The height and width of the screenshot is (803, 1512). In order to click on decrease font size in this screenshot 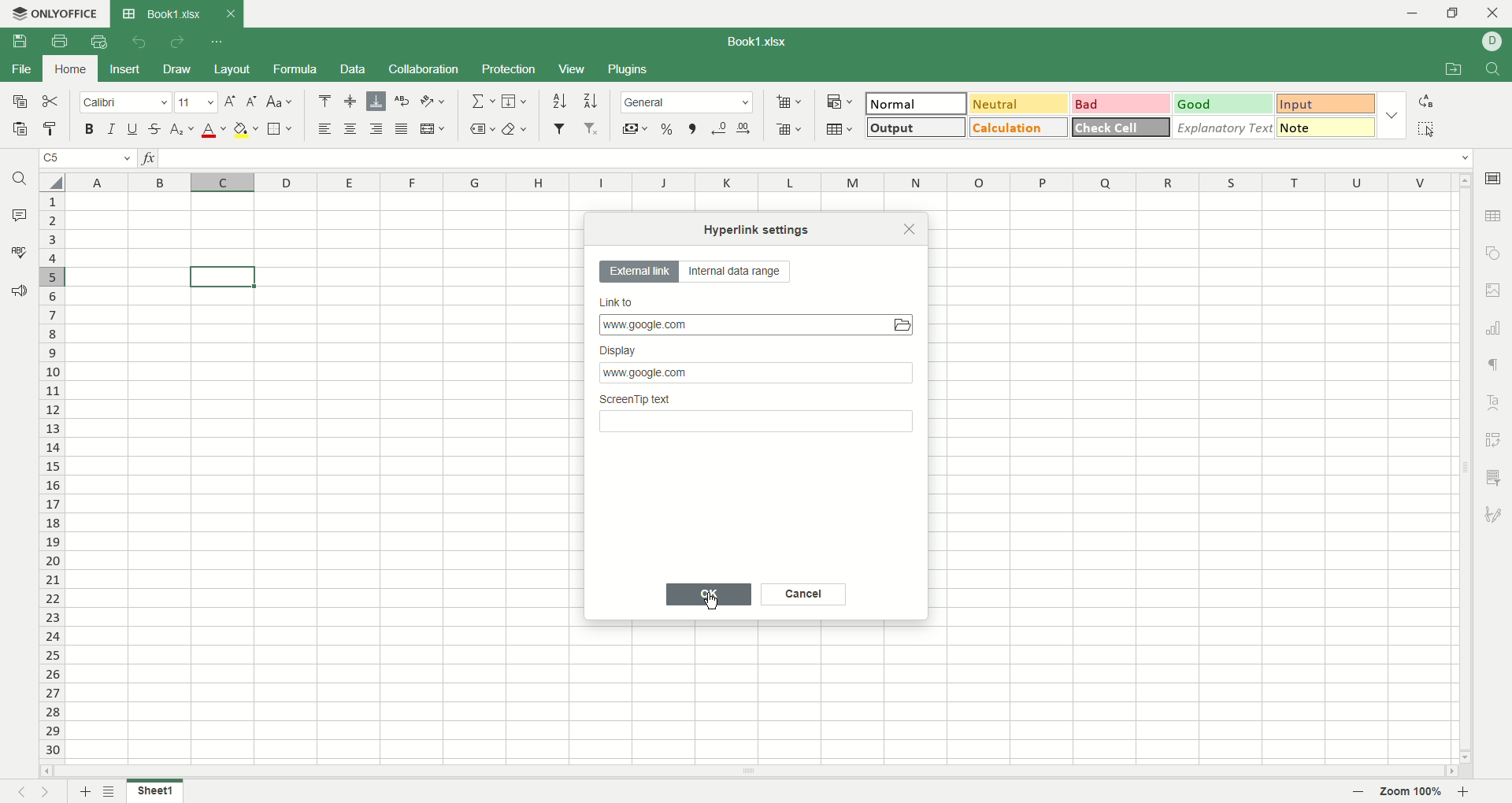, I will do `click(252, 101)`.